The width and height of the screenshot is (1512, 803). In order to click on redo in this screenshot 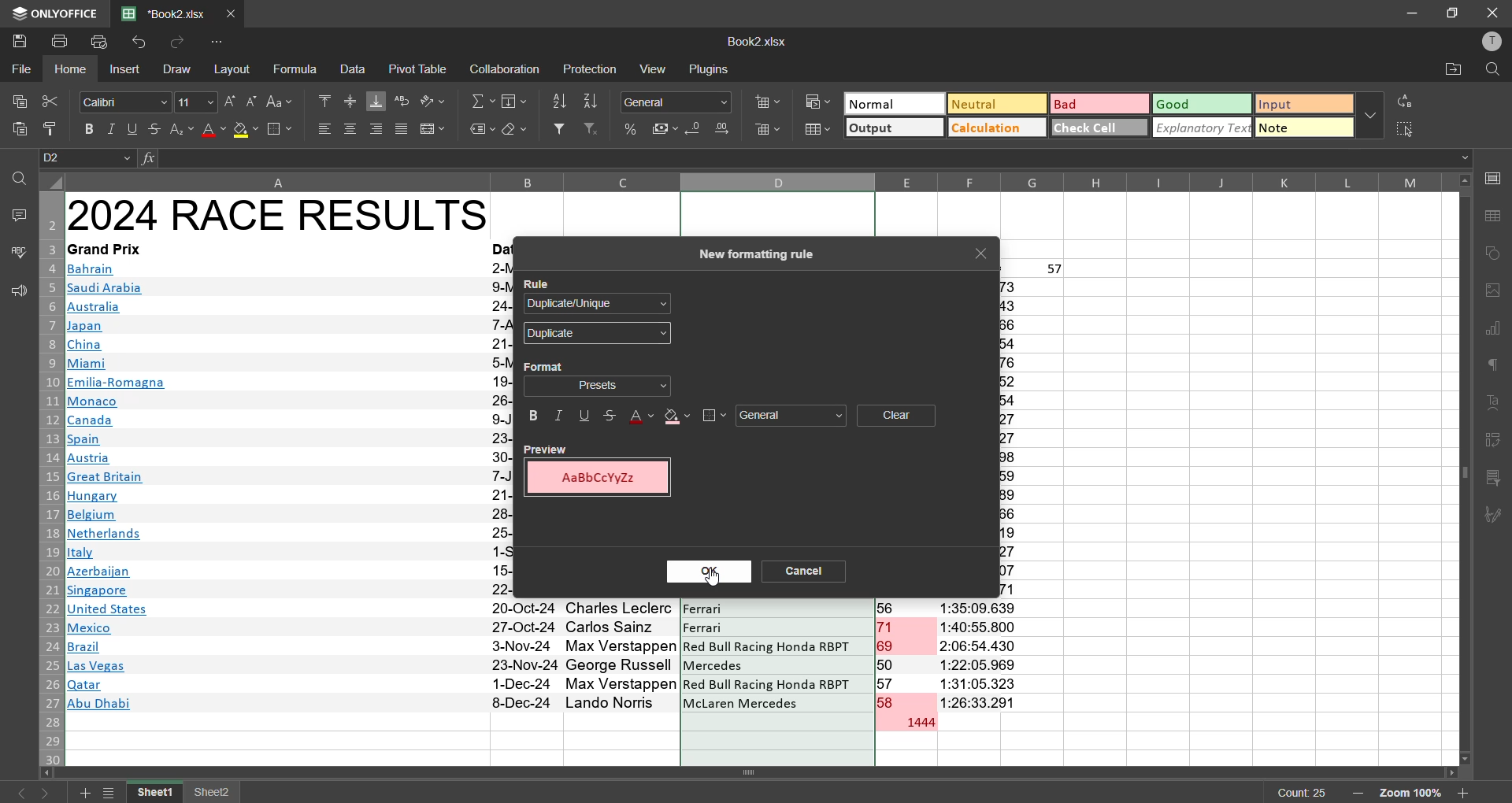, I will do `click(174, 43)`.